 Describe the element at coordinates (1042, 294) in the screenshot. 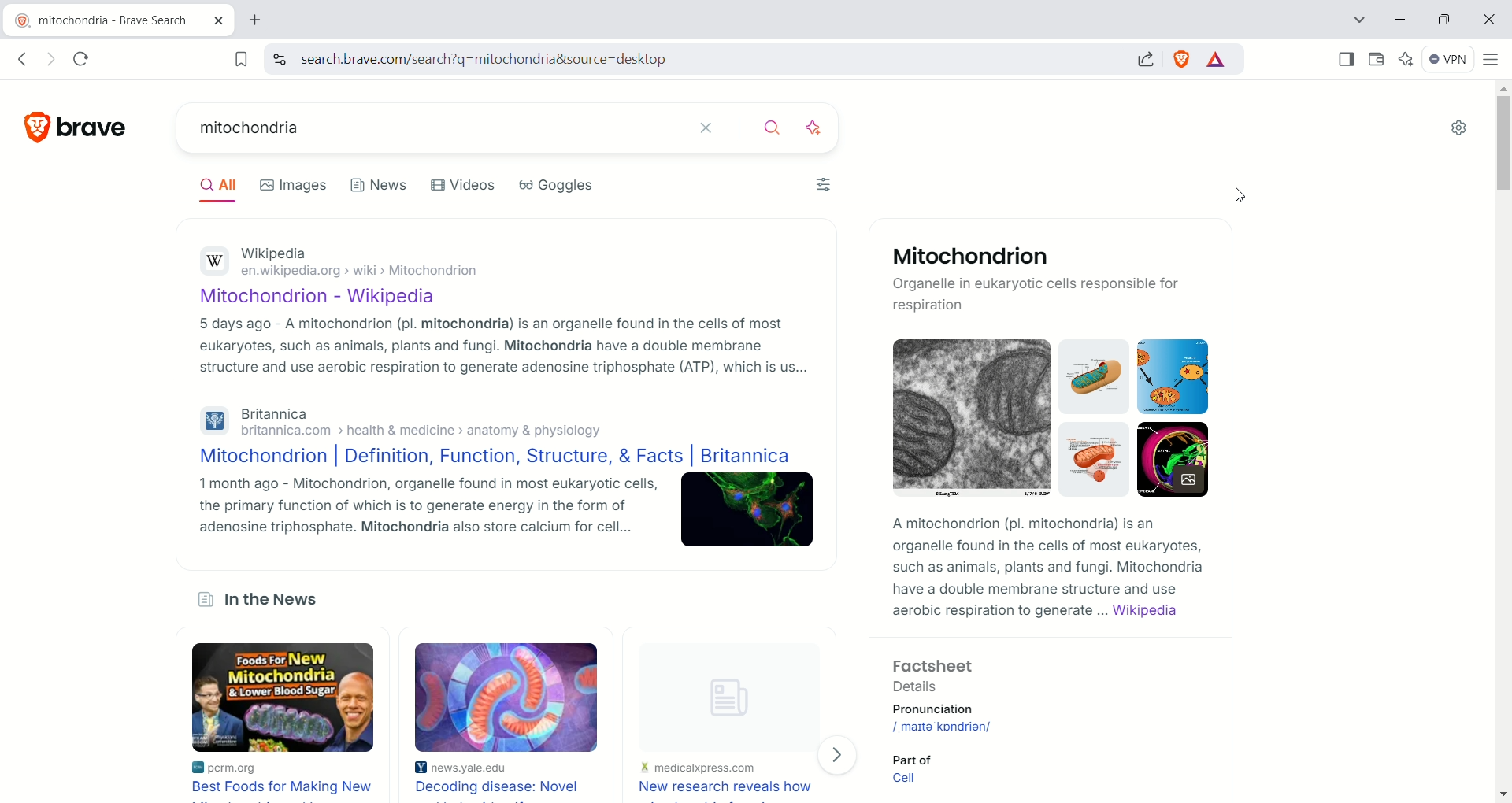

I see `Organelle in eukaryotic cells responsible for respiration` at that location.